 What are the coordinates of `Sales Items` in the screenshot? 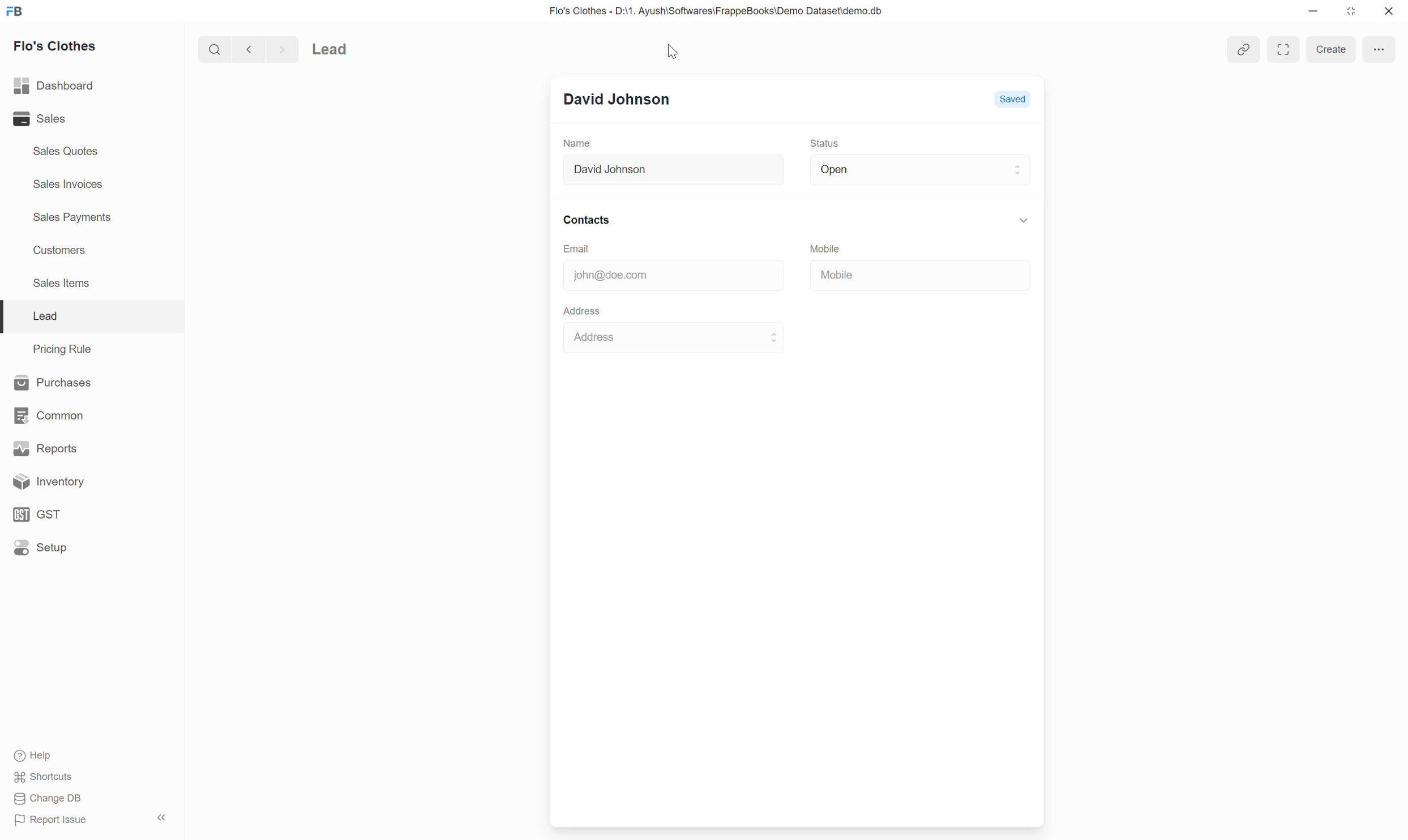 It's located at (66, 286).